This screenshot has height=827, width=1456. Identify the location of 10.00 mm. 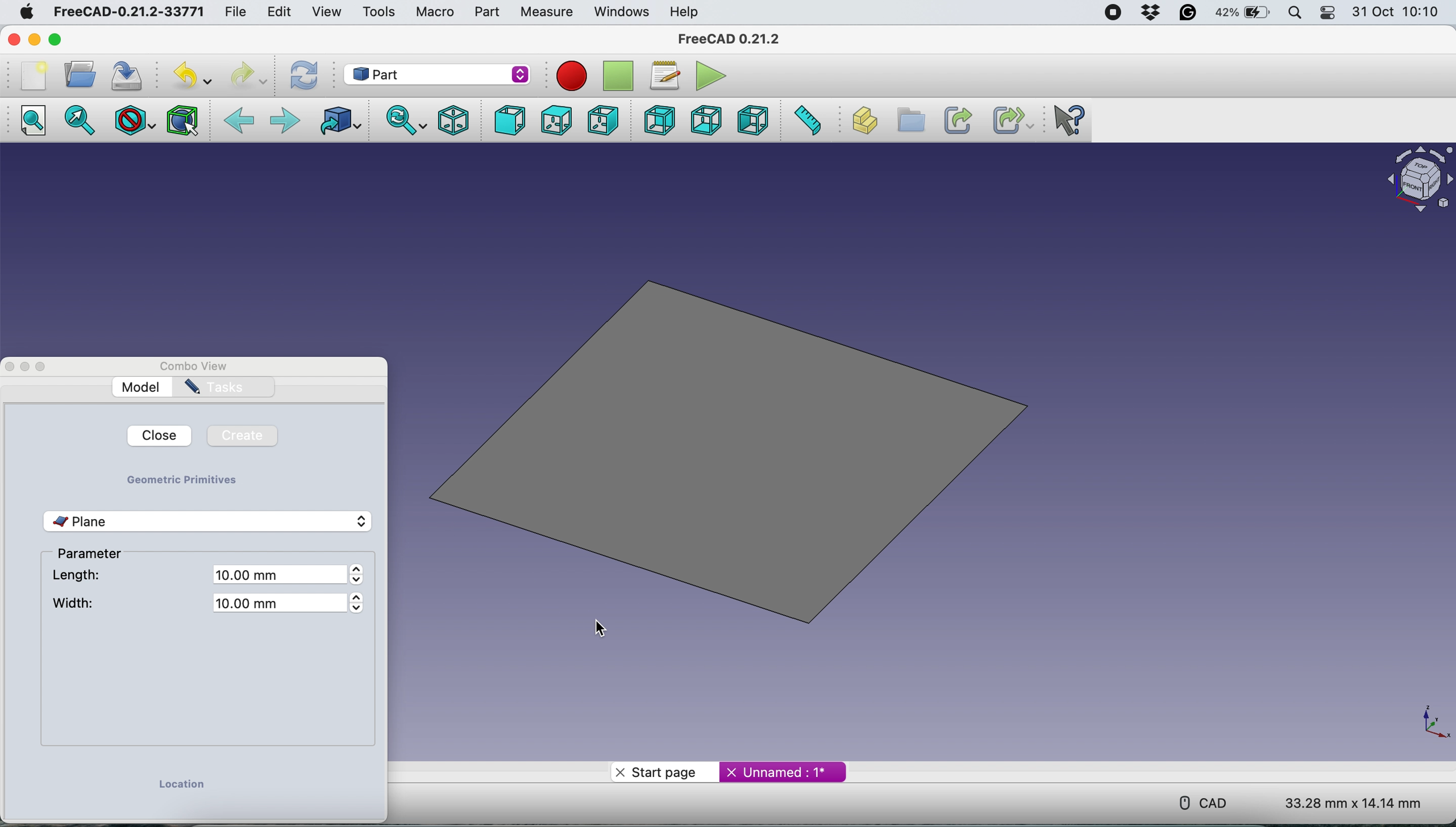
(284, 575).